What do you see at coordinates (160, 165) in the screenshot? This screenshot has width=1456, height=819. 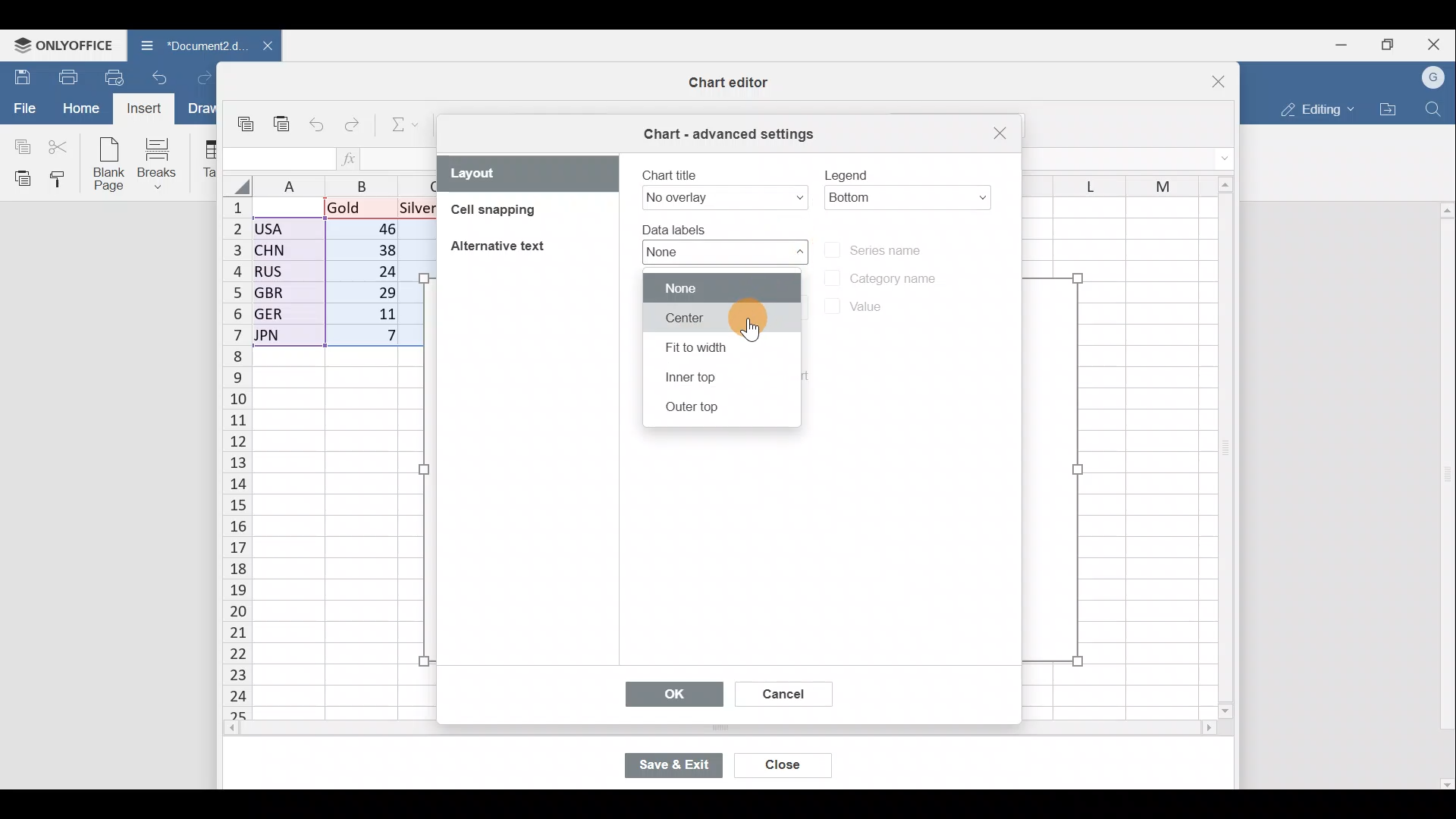 I see `Breaks` at bounding box center [160, 165].